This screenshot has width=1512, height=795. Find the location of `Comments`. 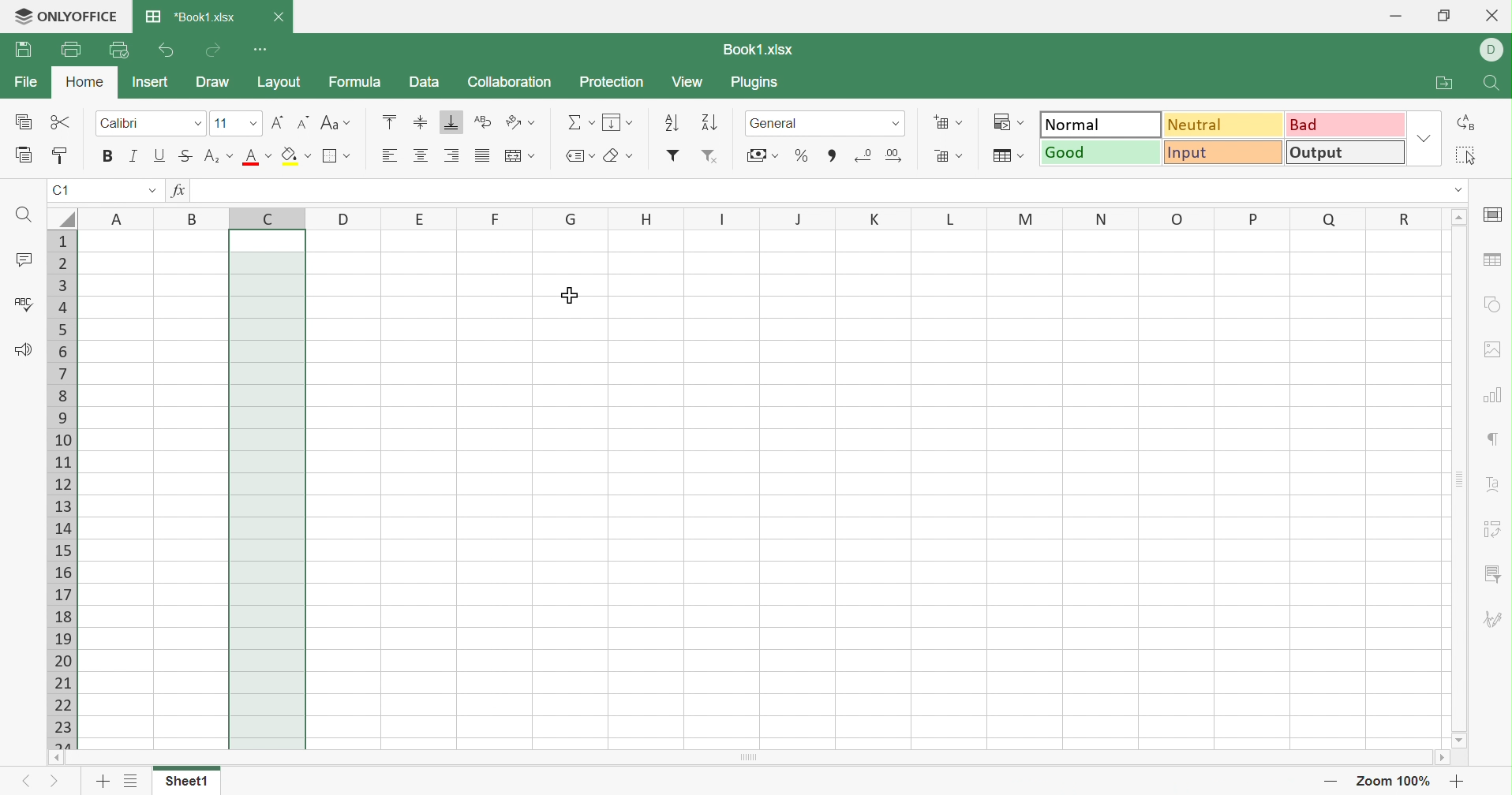

Comments is located at coordinates (24, 260).